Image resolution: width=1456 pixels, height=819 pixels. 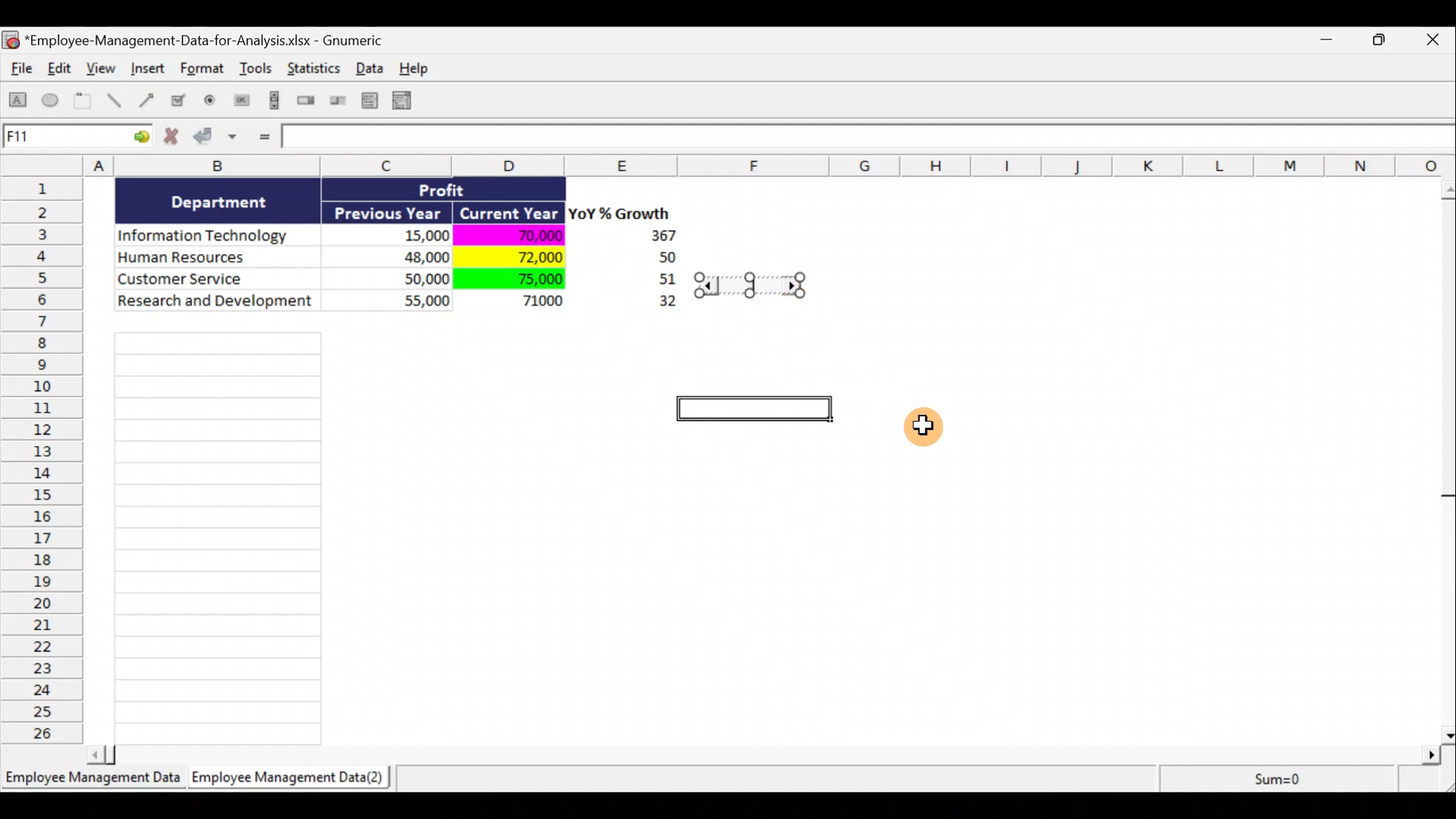 I want to click on Rows, so click(x=46, y=459).